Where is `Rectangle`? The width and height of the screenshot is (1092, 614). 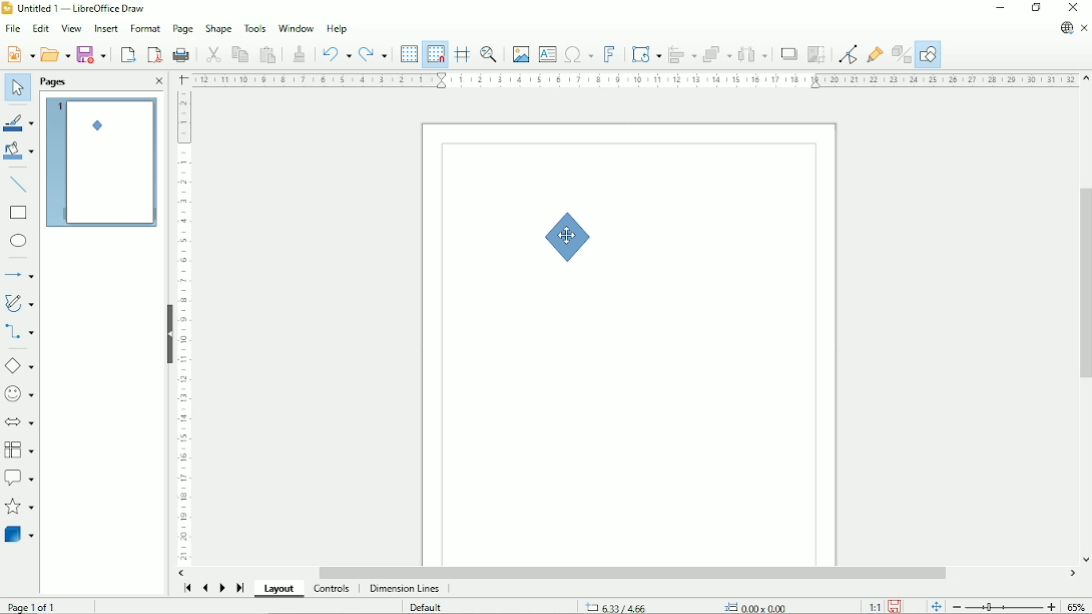 Rectangle is located at coordinates (19, 213).